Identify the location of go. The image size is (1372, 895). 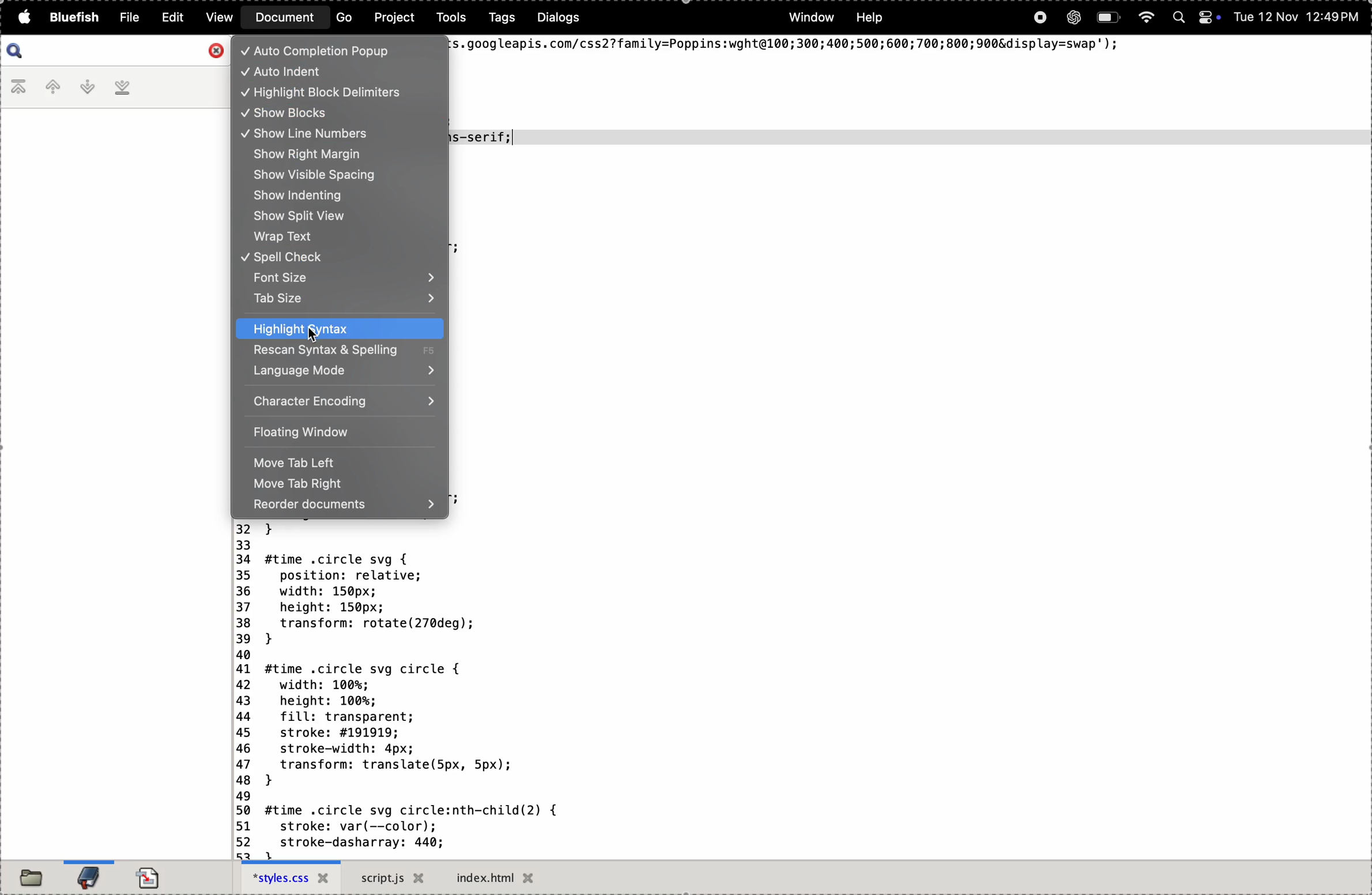
(340, 20).